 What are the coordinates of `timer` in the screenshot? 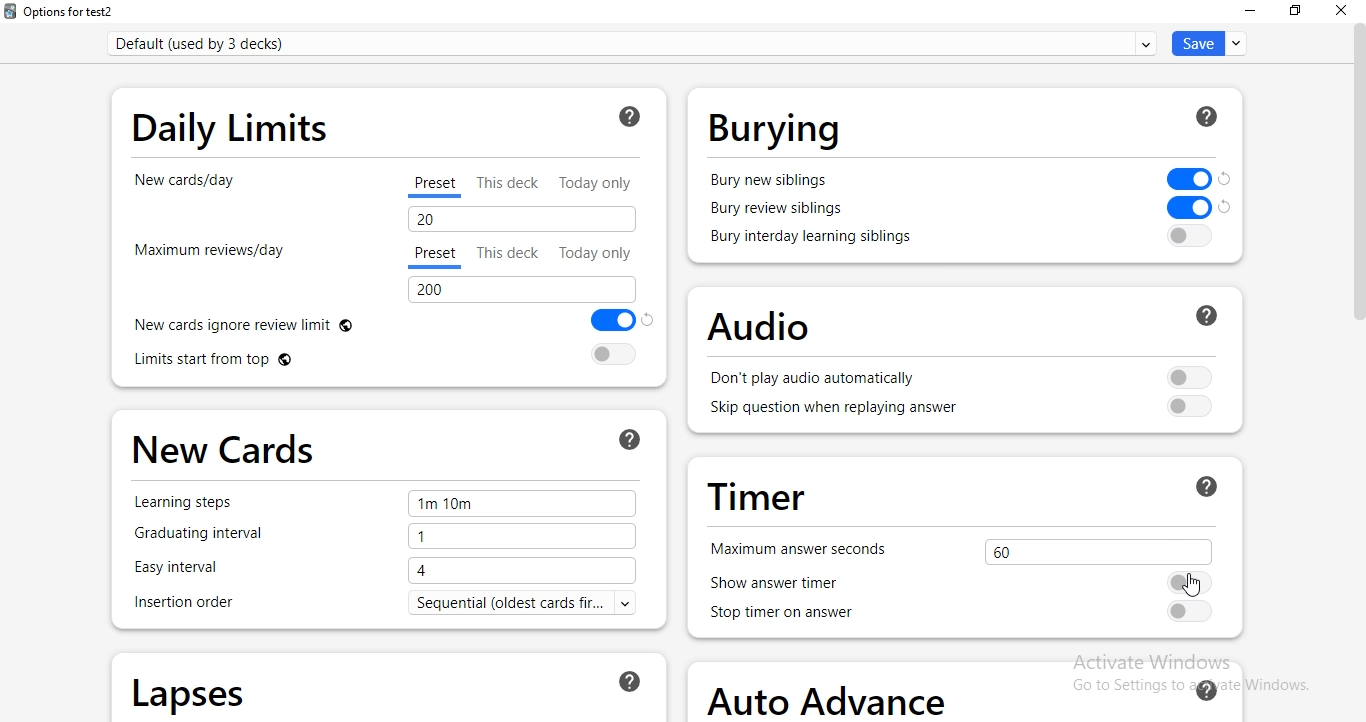 It's located at (965, 492).